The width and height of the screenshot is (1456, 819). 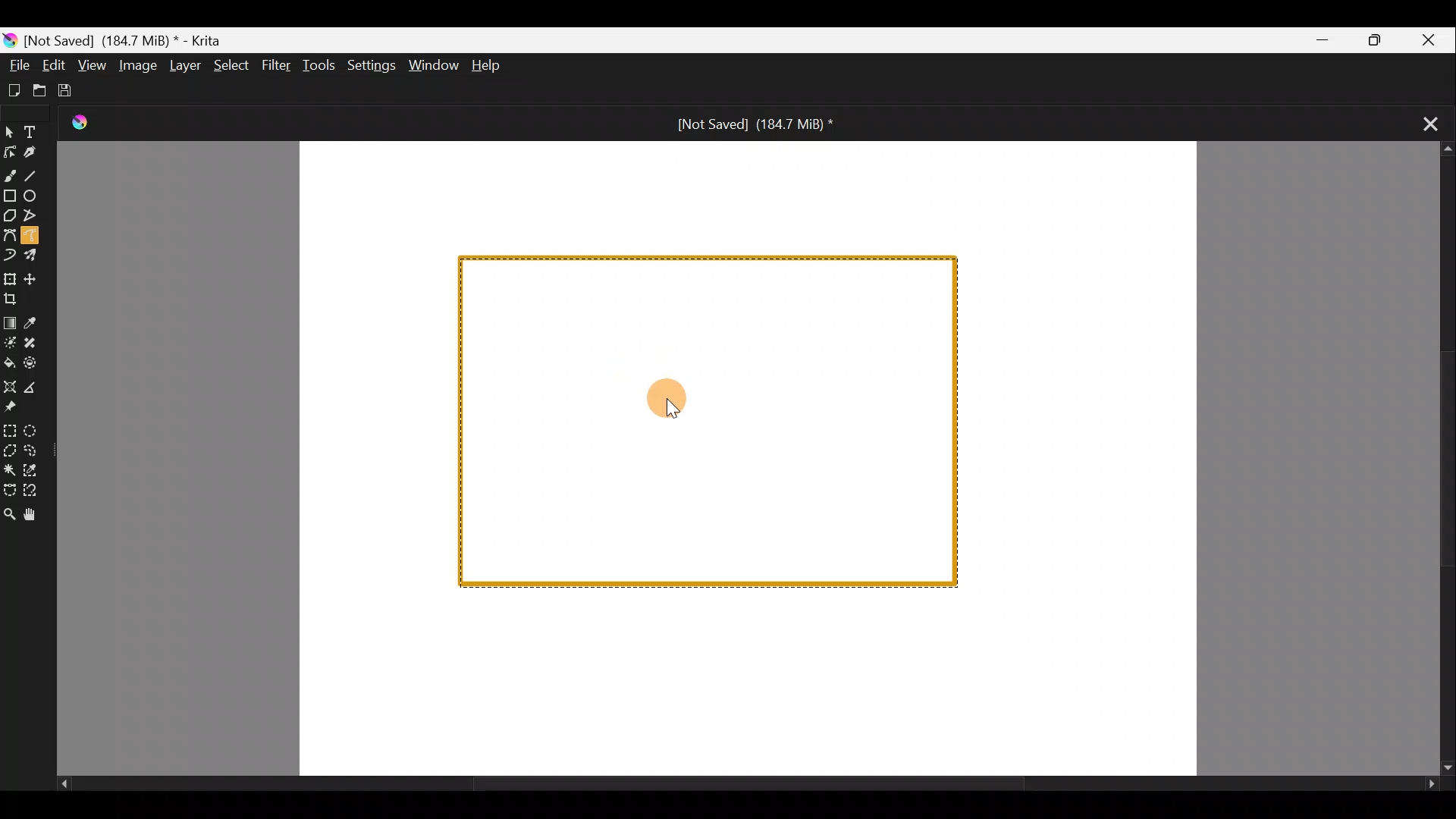 I want to click on Window, so click(x=431, y=67).